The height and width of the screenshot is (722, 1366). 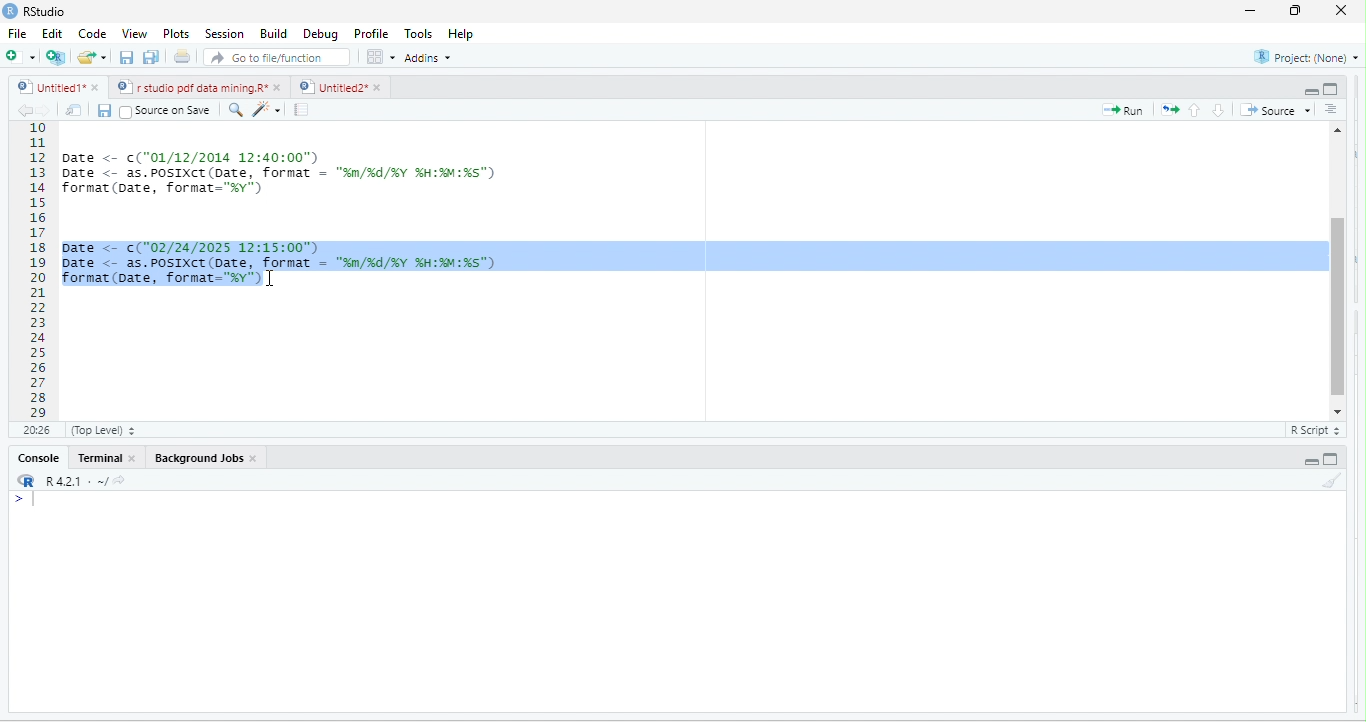 I want to click on show in new window, so click(x=76, y=110).